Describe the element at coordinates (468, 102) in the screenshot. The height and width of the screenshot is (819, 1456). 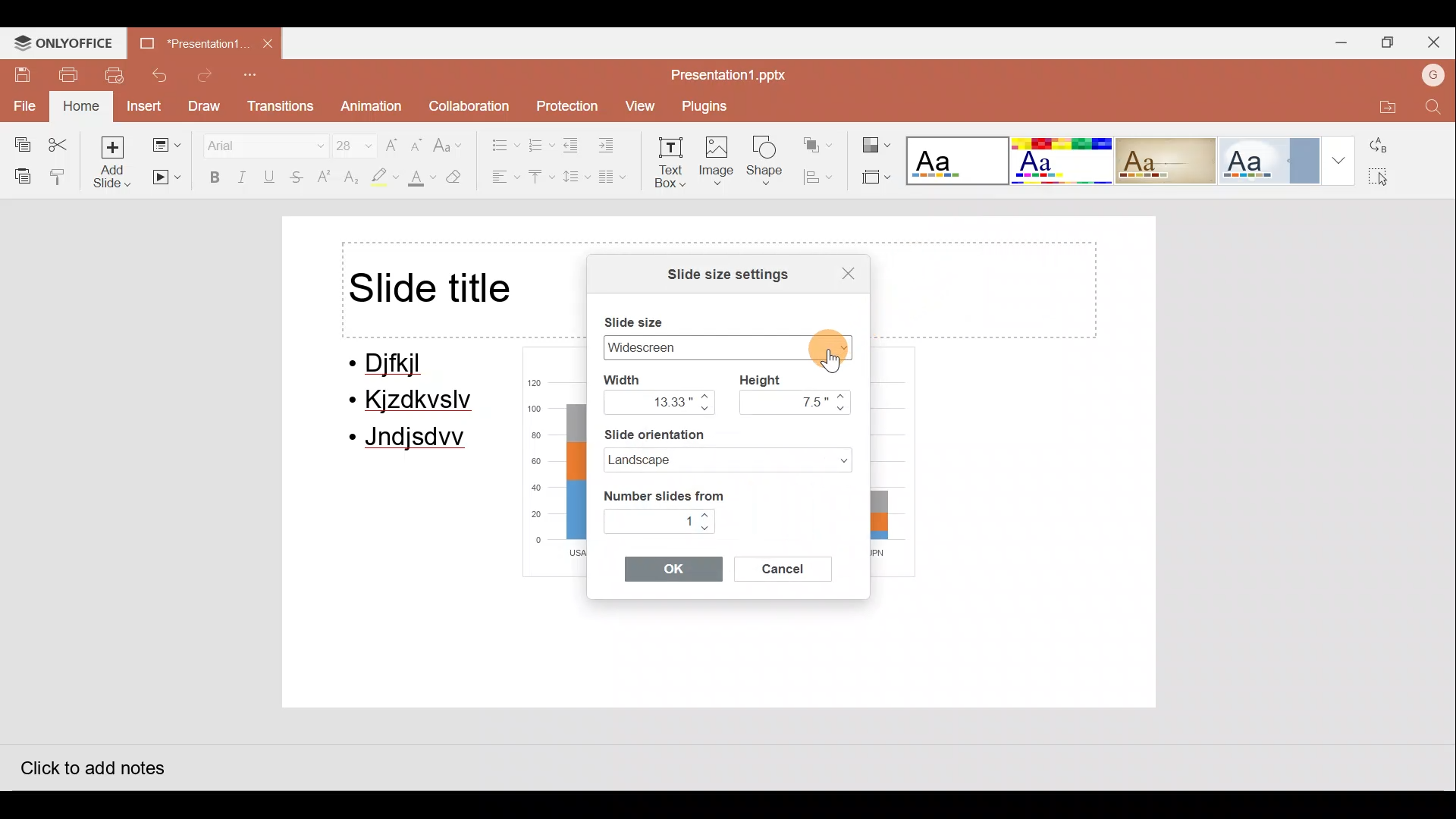
I see `Collaboration` at that location.